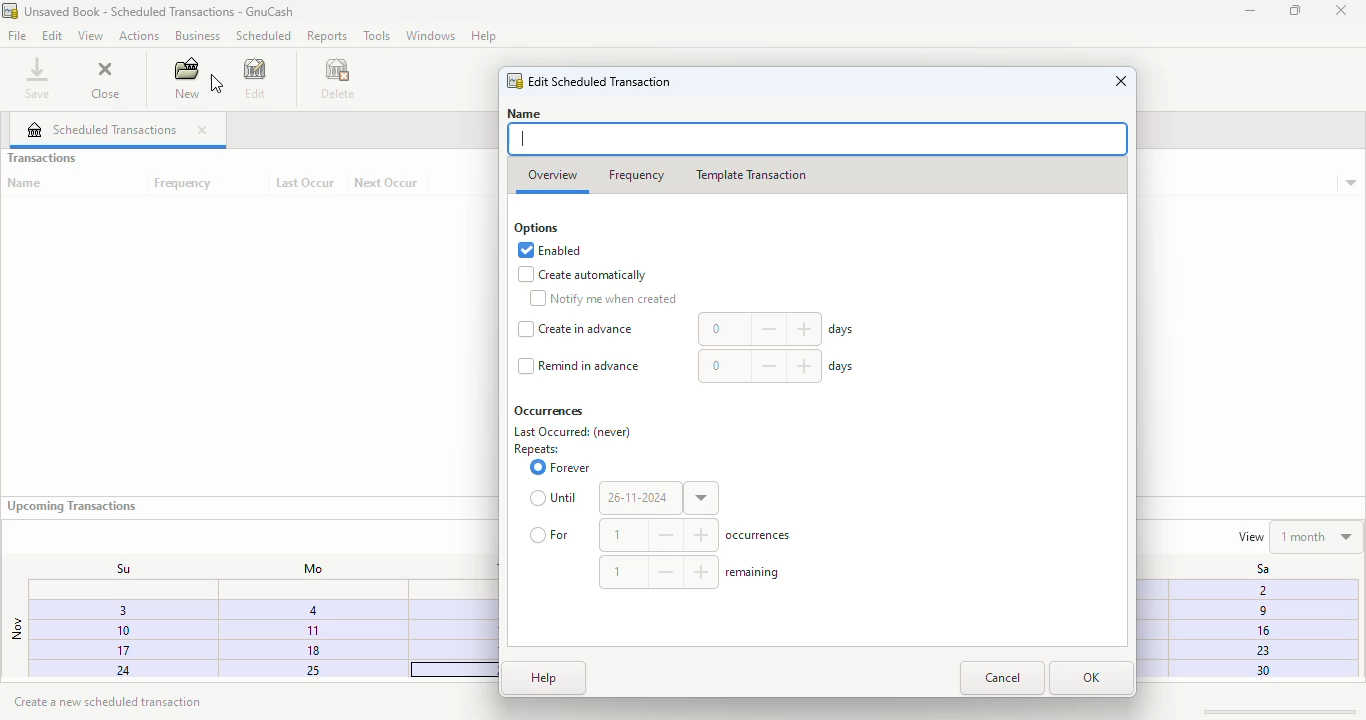  What do you see at coordinates (602, 298) in the screenshot?
I see `notify me when created` at bounding box center [602, 298].